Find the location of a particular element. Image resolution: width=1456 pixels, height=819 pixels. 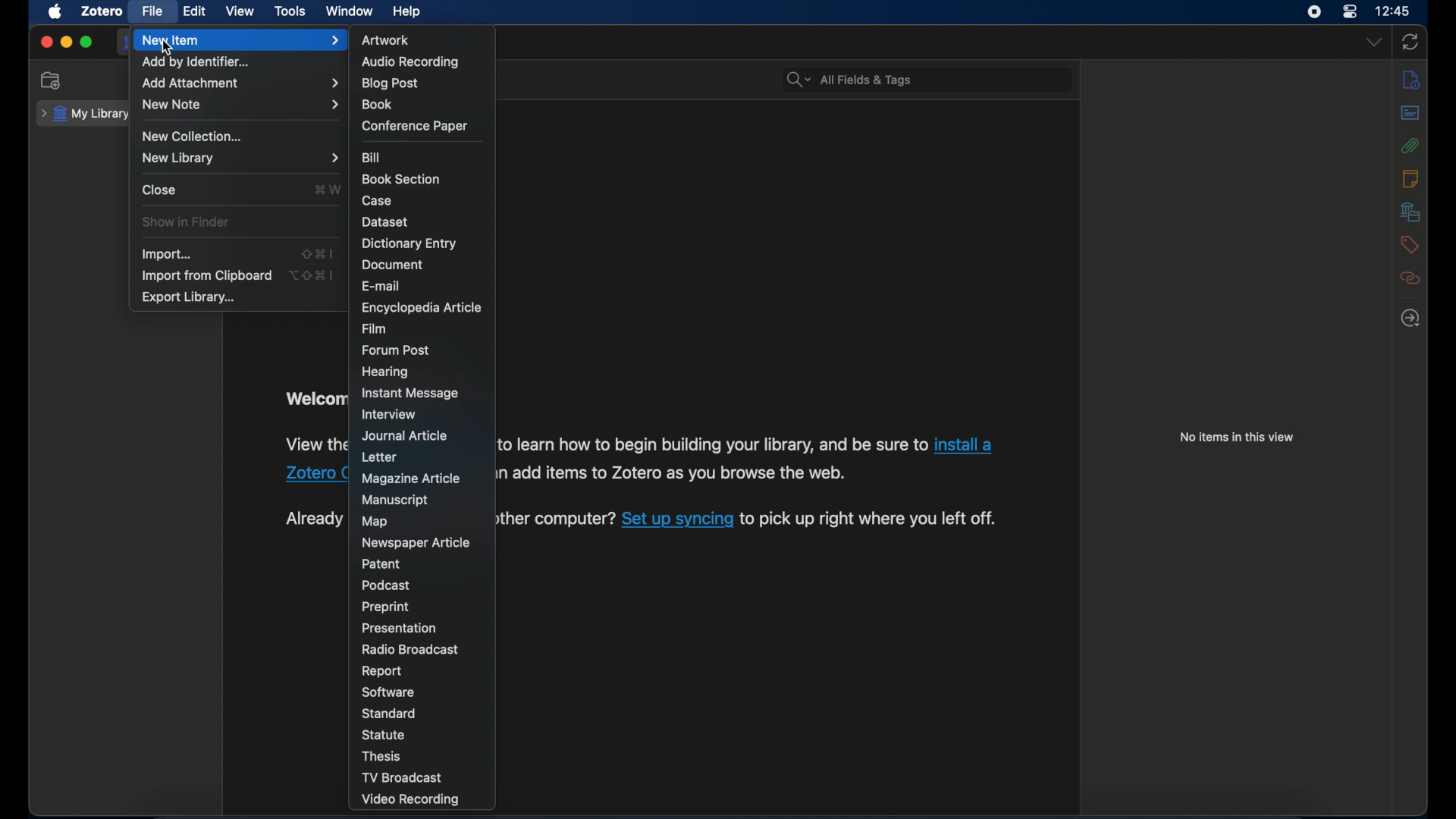

radio broadcast is located at coordinates (410, 649).